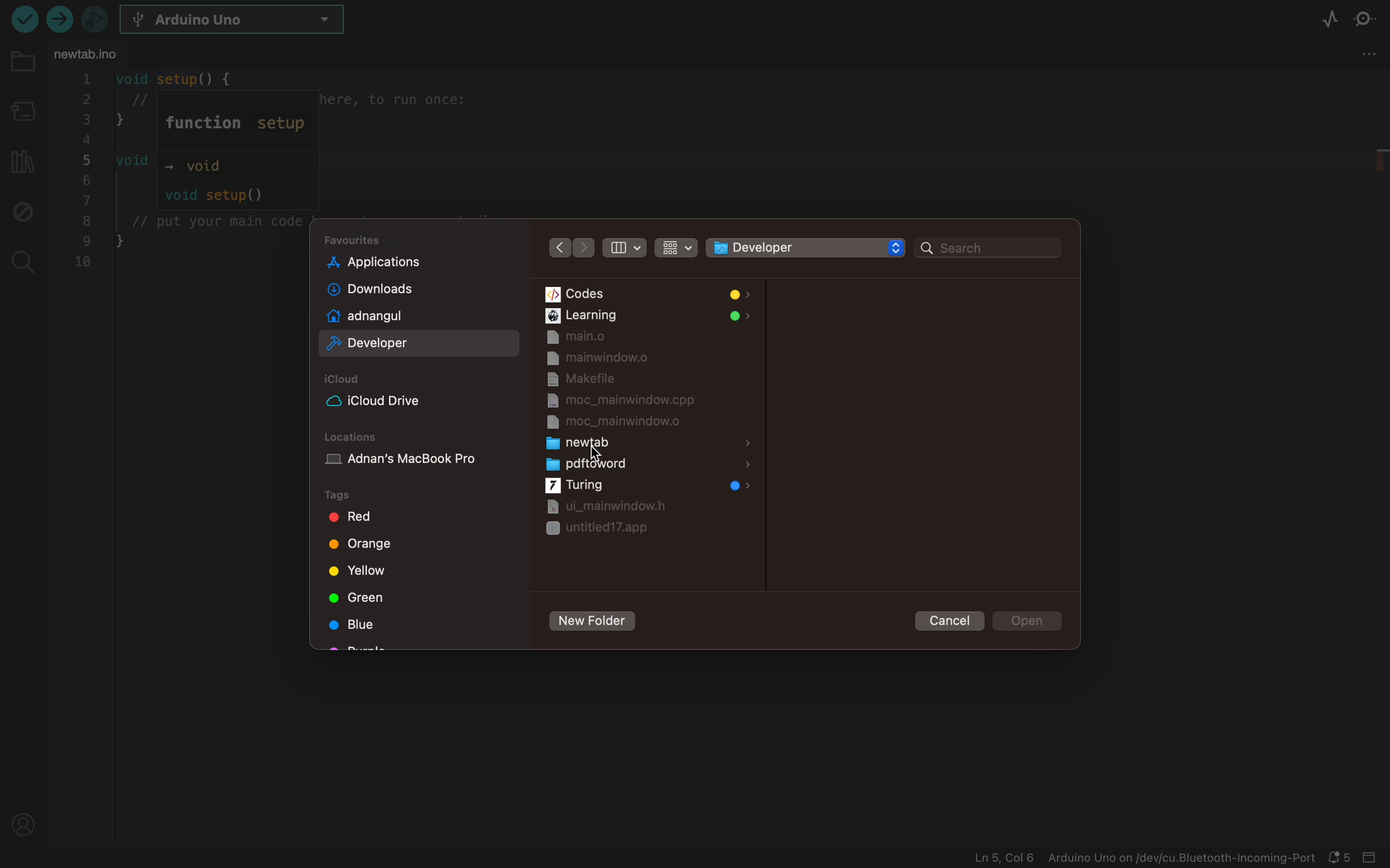 The image size is (1390, 868). What do you see at coordinates (647, 316) in the screenshot?
I see `learning` at bounding box center [647, 316].